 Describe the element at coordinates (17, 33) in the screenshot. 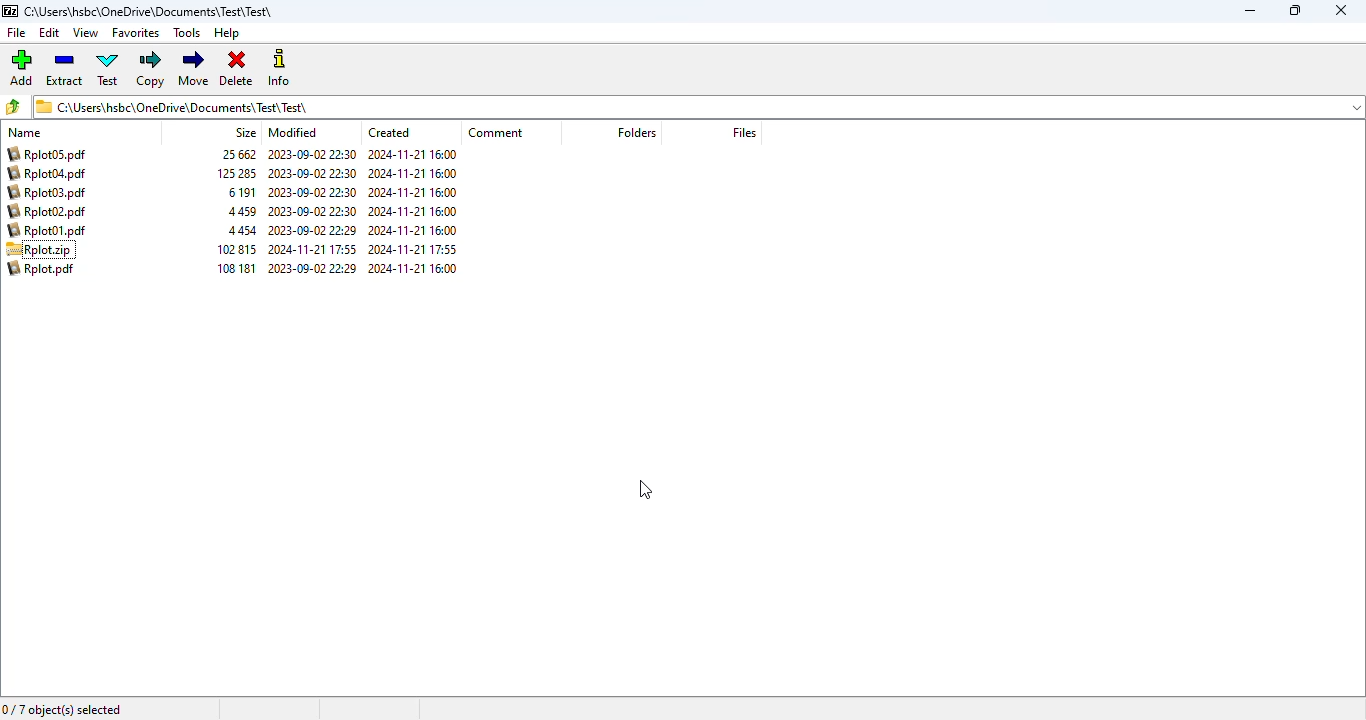

I see `file` at that location.